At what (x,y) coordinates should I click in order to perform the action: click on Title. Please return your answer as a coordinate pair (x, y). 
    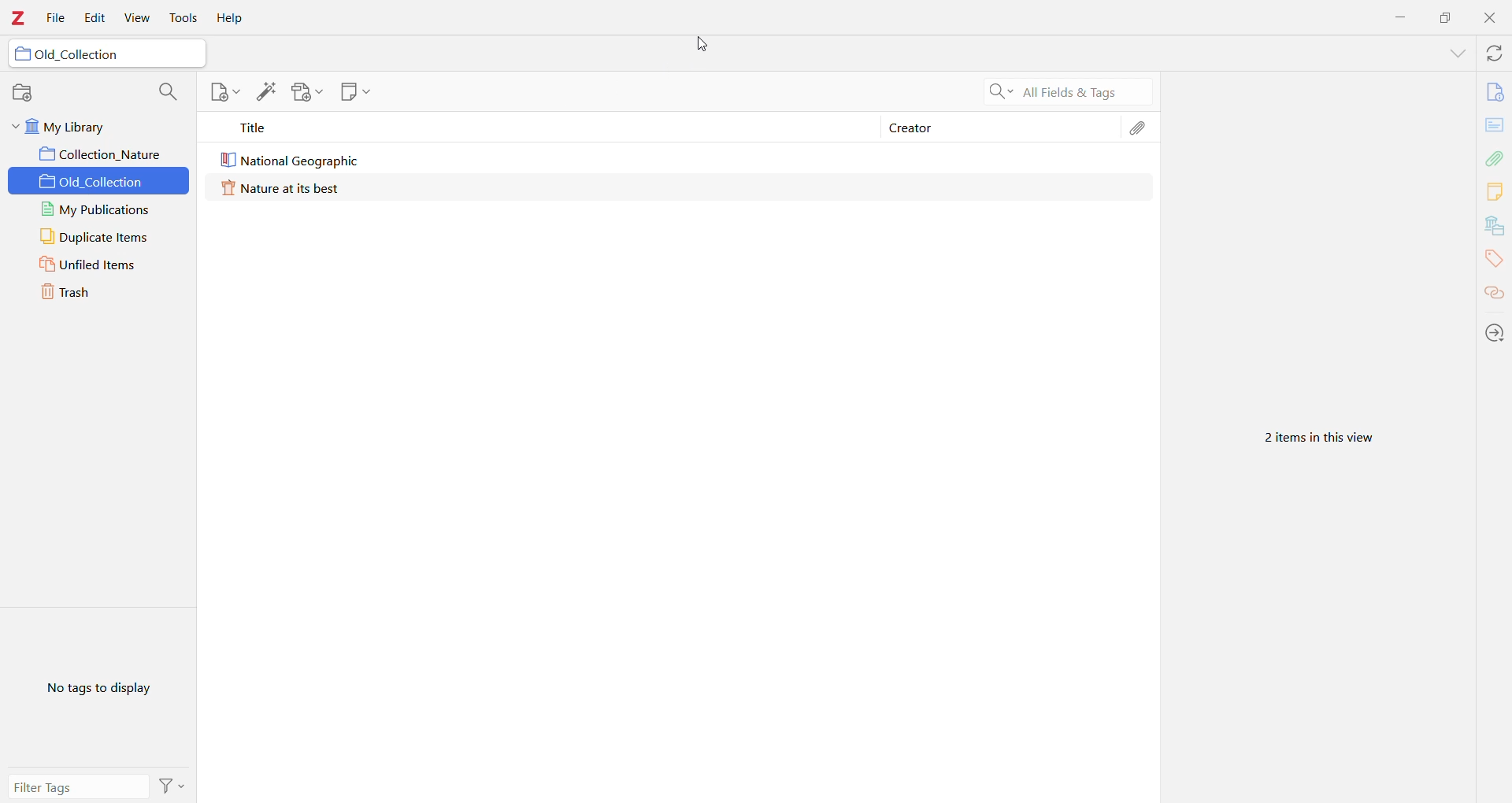
    Looking at the image, I should click on (539, 128).